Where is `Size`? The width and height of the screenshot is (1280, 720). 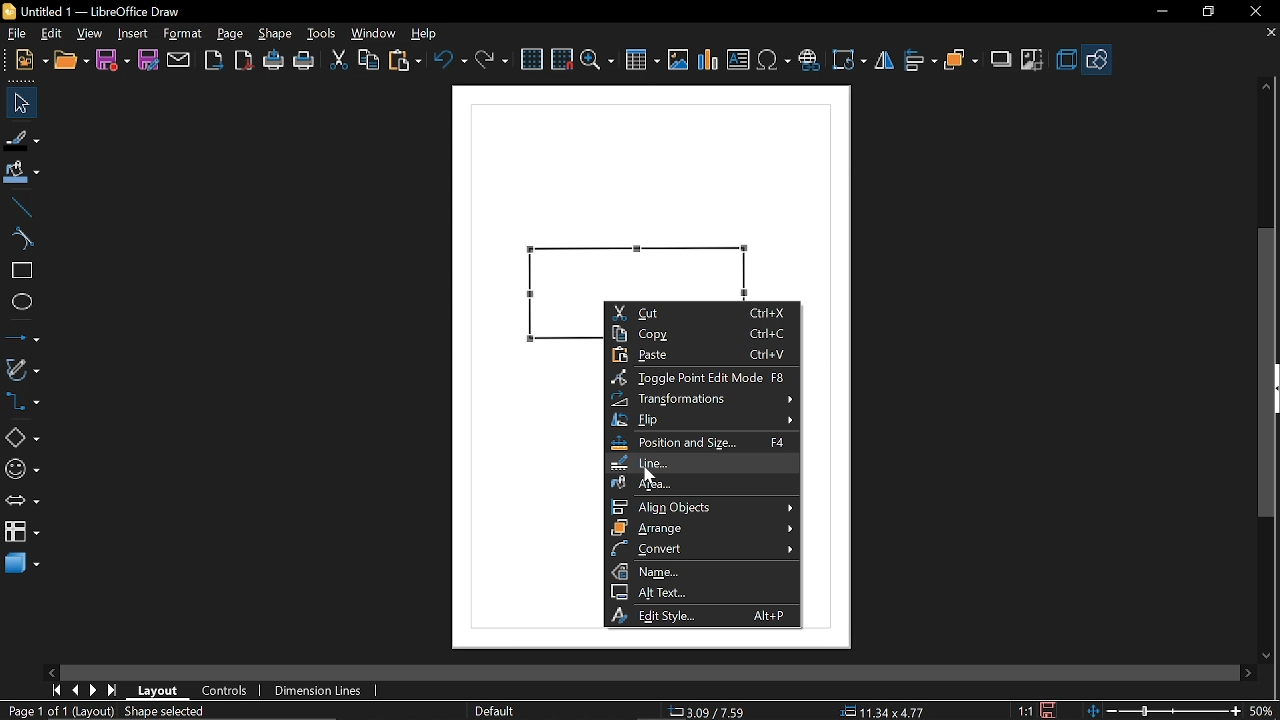
Size is located at coordinates (878, 710).